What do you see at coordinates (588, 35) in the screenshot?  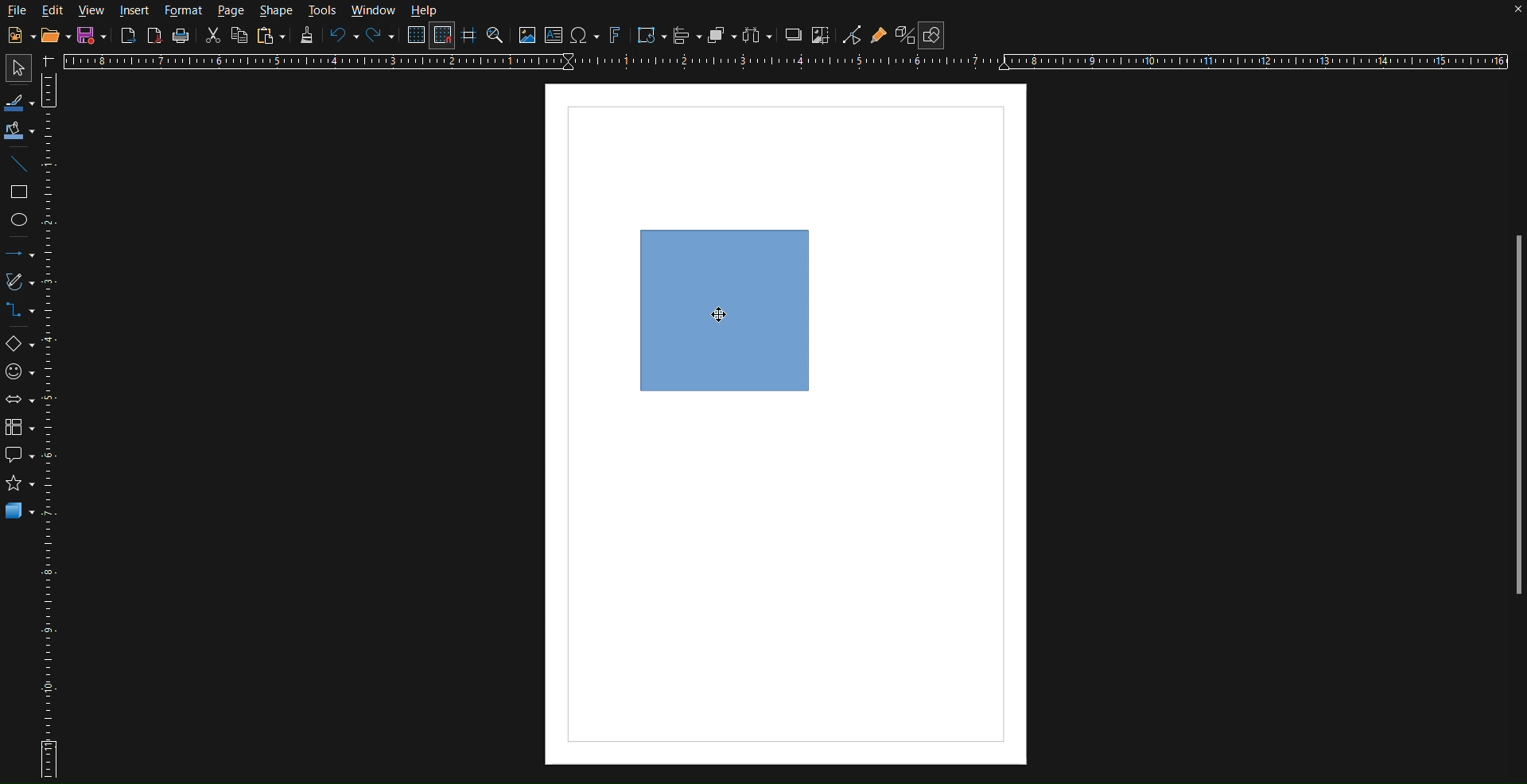 I see `Insert Special Character` at bounding box center [588, 35].